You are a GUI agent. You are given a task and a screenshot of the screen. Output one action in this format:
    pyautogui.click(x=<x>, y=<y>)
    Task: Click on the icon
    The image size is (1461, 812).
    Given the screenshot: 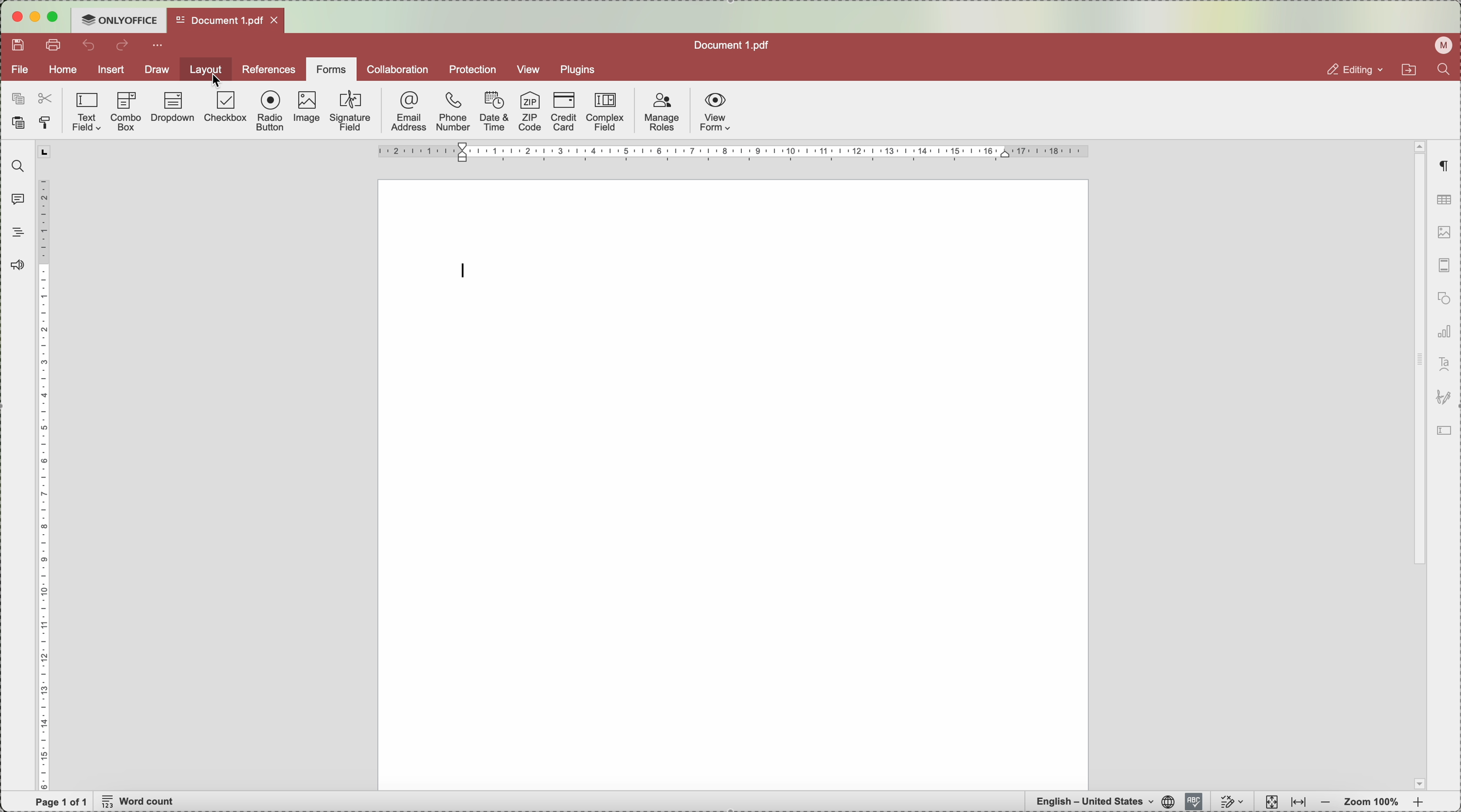 What is the action you would take?
    pyautogui.click(x=1443, y=399)
    